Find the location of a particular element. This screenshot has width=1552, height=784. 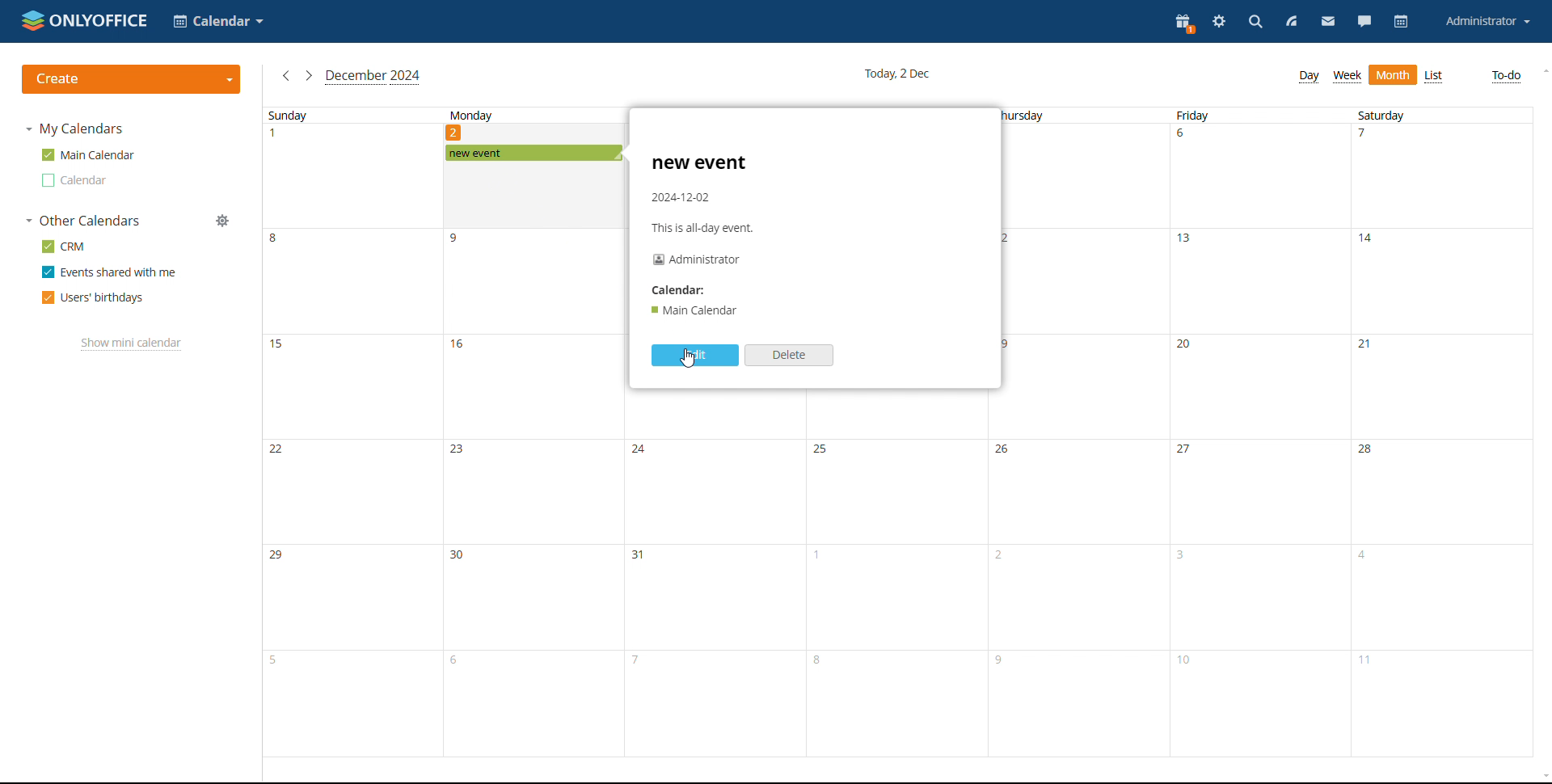

month view is located at coordinates (1393, 75).